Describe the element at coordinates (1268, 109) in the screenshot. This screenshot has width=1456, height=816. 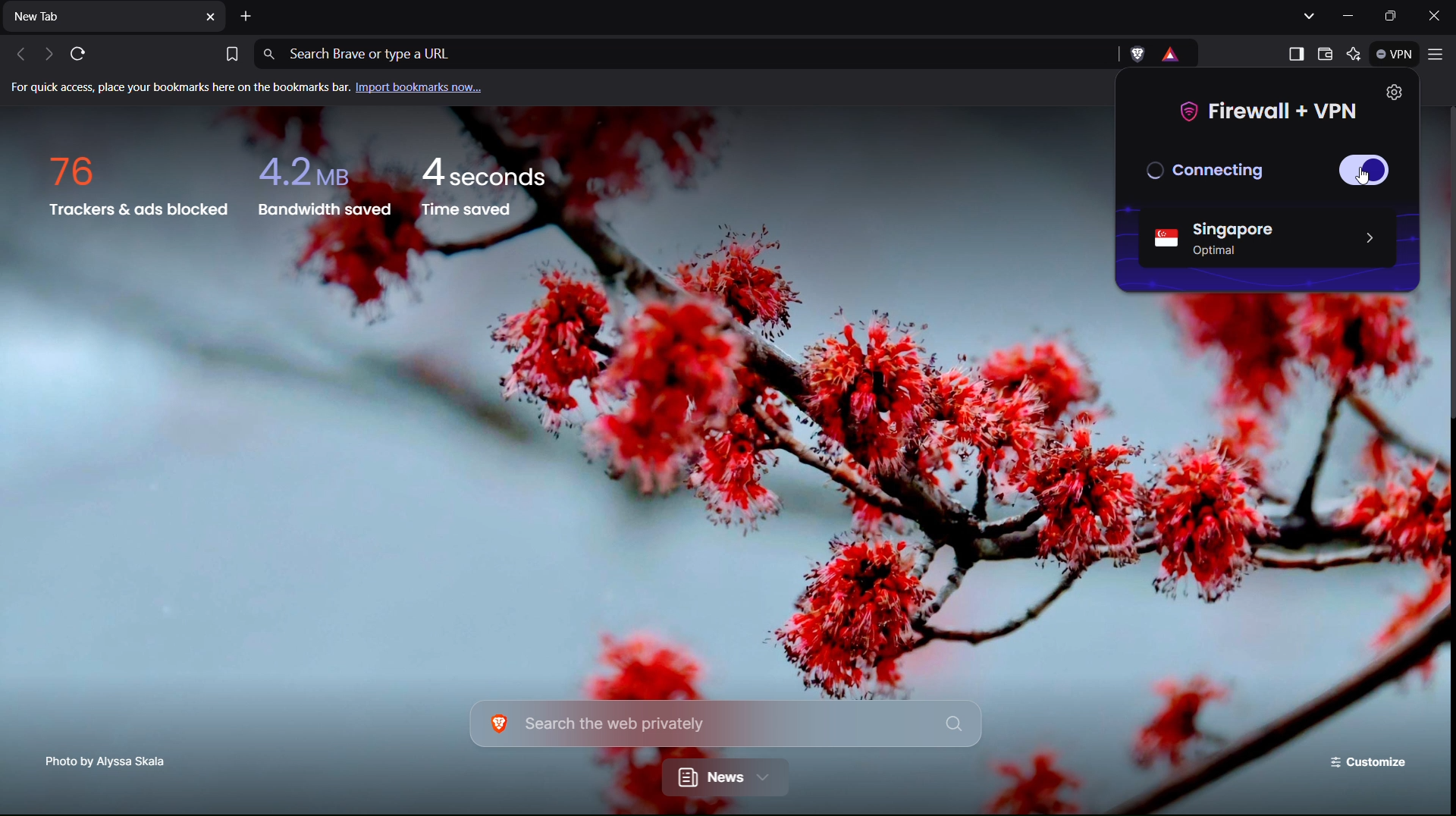
I see `Firewall + VPN` at that location.